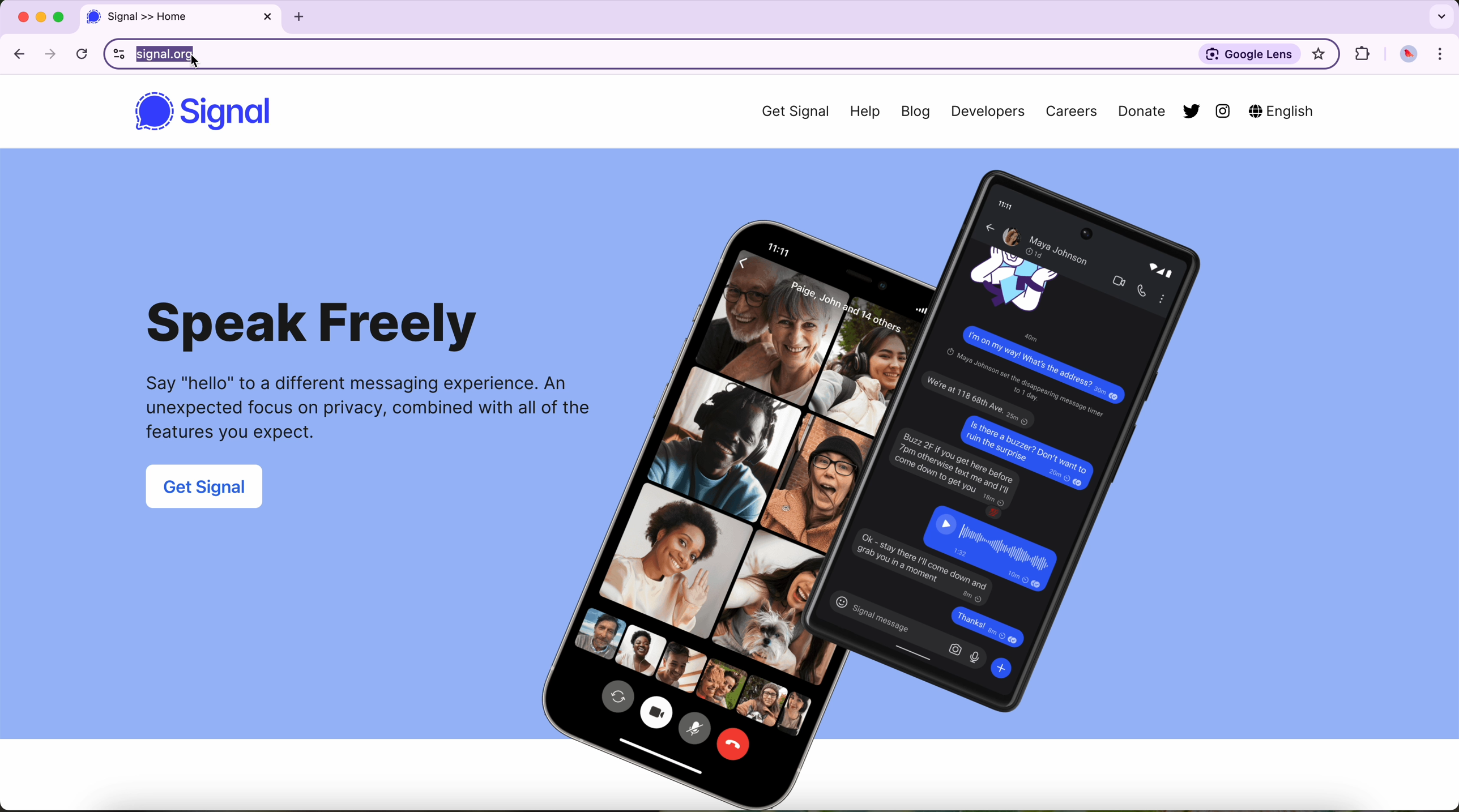 Image resolution: width=1459 pixels, height=812 pixels. I want to click on navigate arrows, so click(36, 53).